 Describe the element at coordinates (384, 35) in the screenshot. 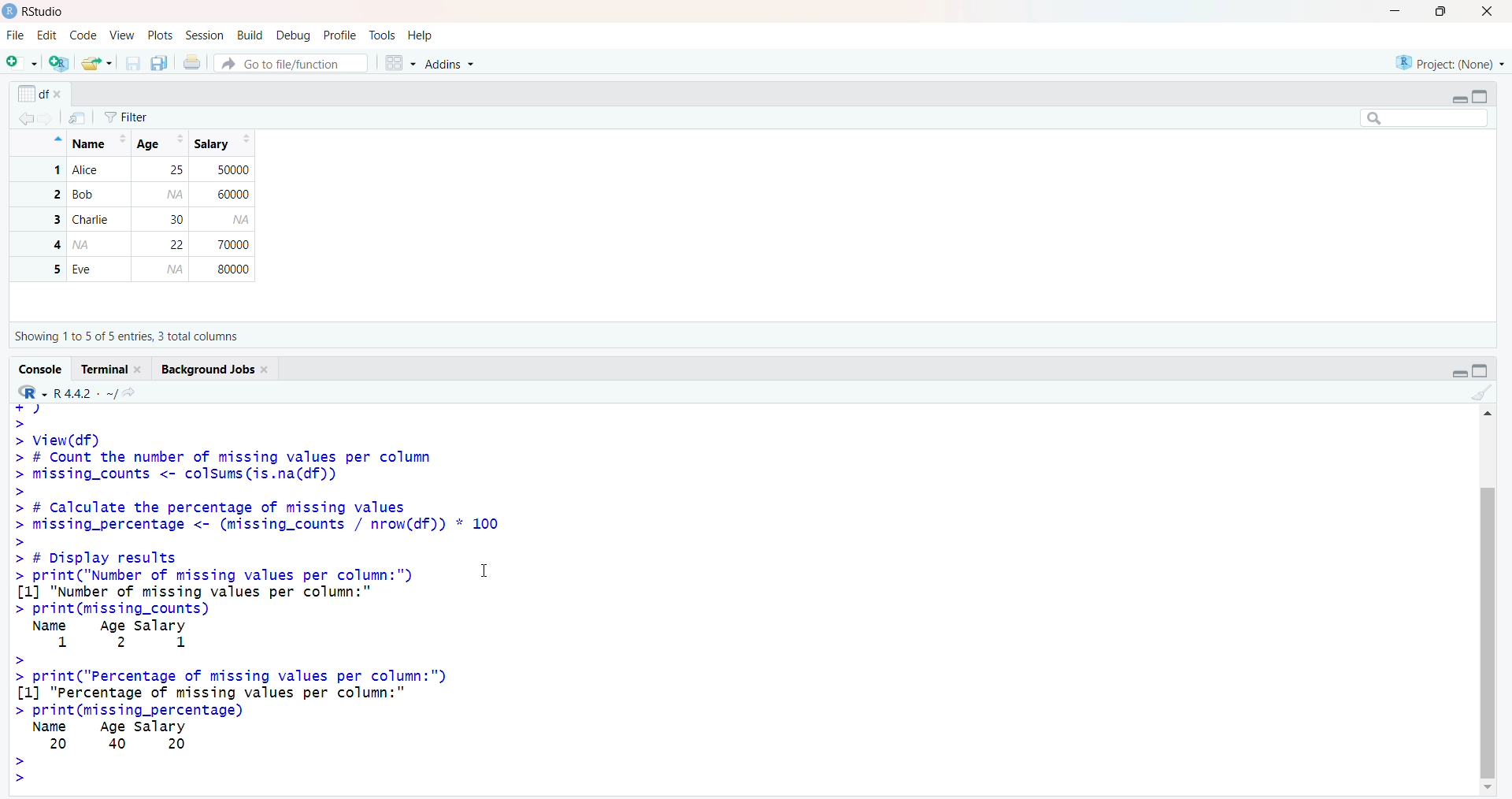

I see `Tools` at that location.